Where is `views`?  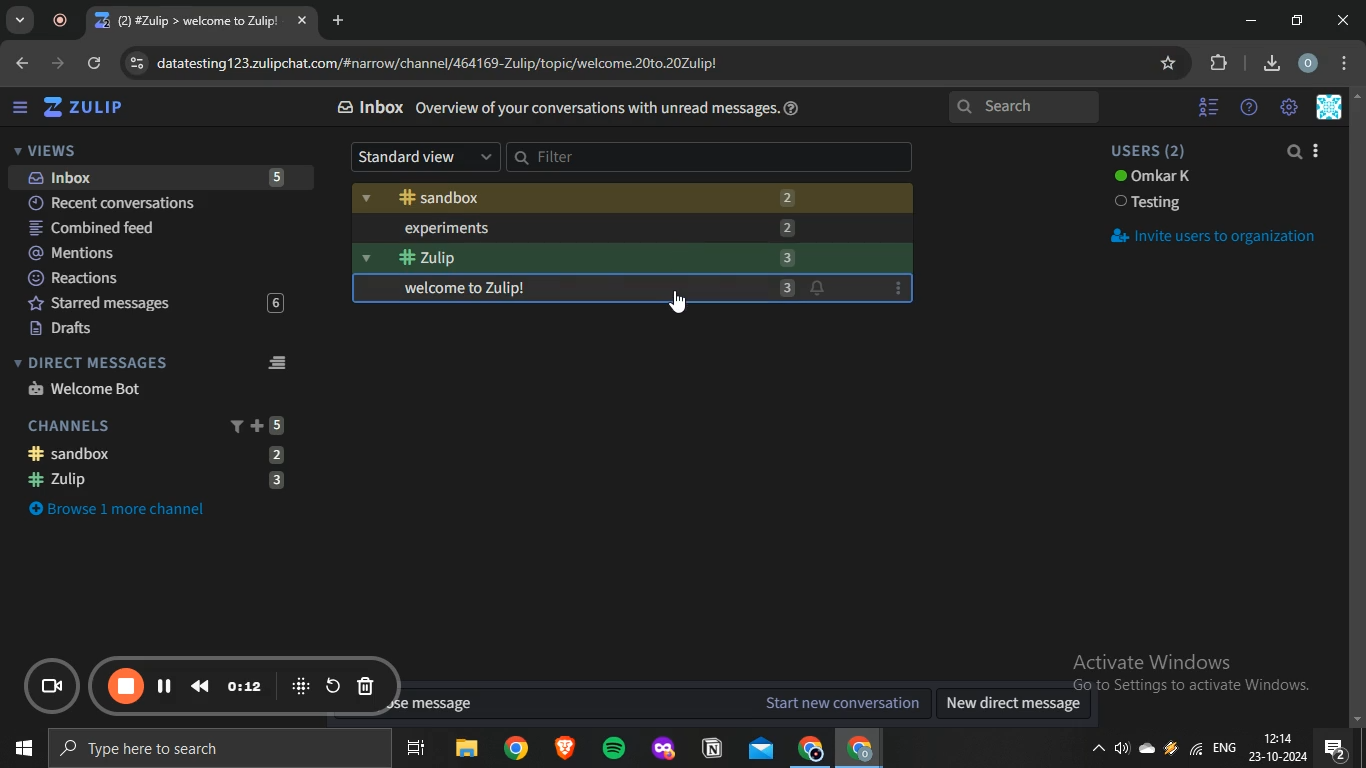 views is located at coordinates (45, 150).